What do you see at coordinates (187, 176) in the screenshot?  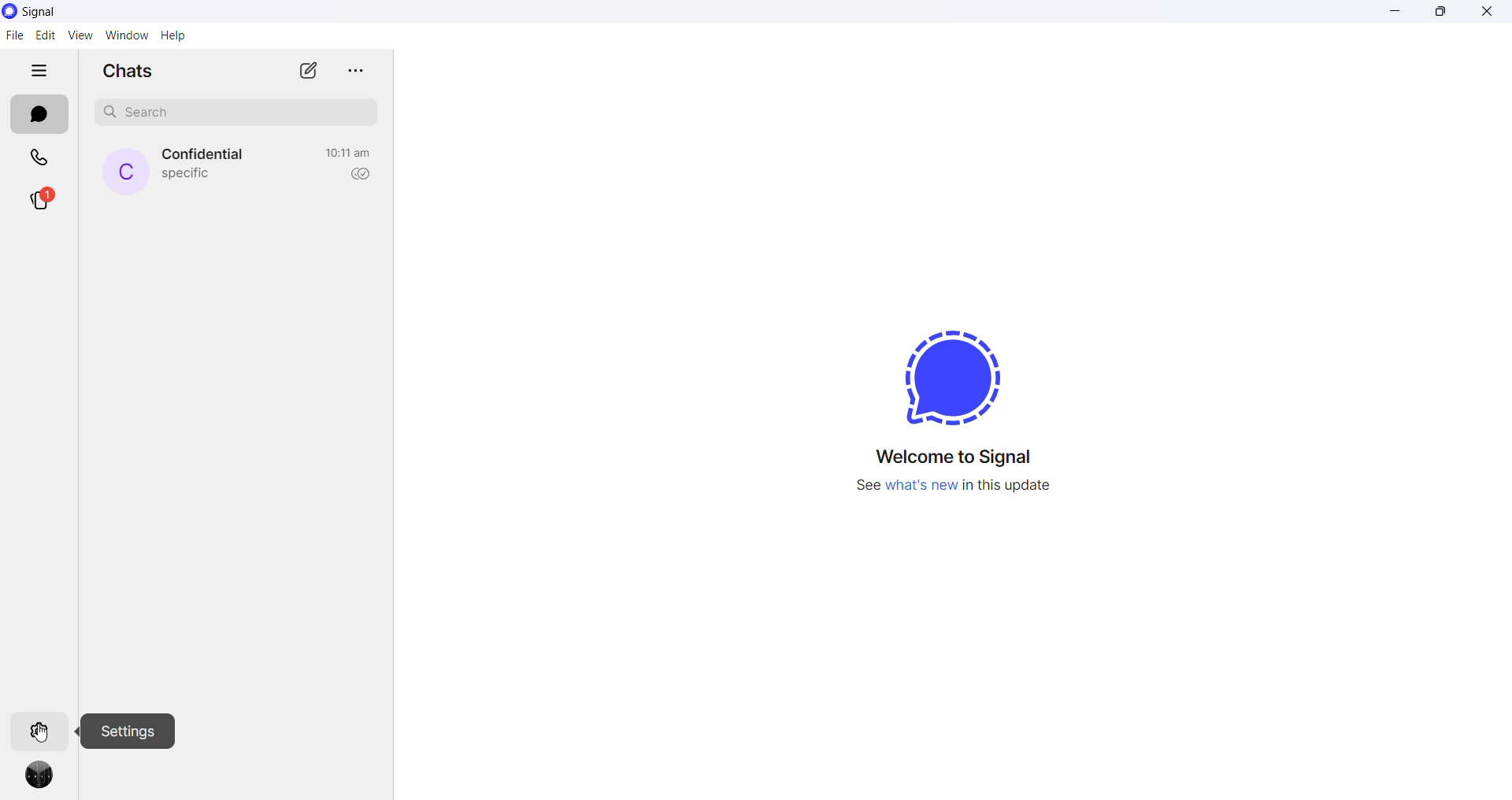 I see `last message` at bounding box center [187, 176].